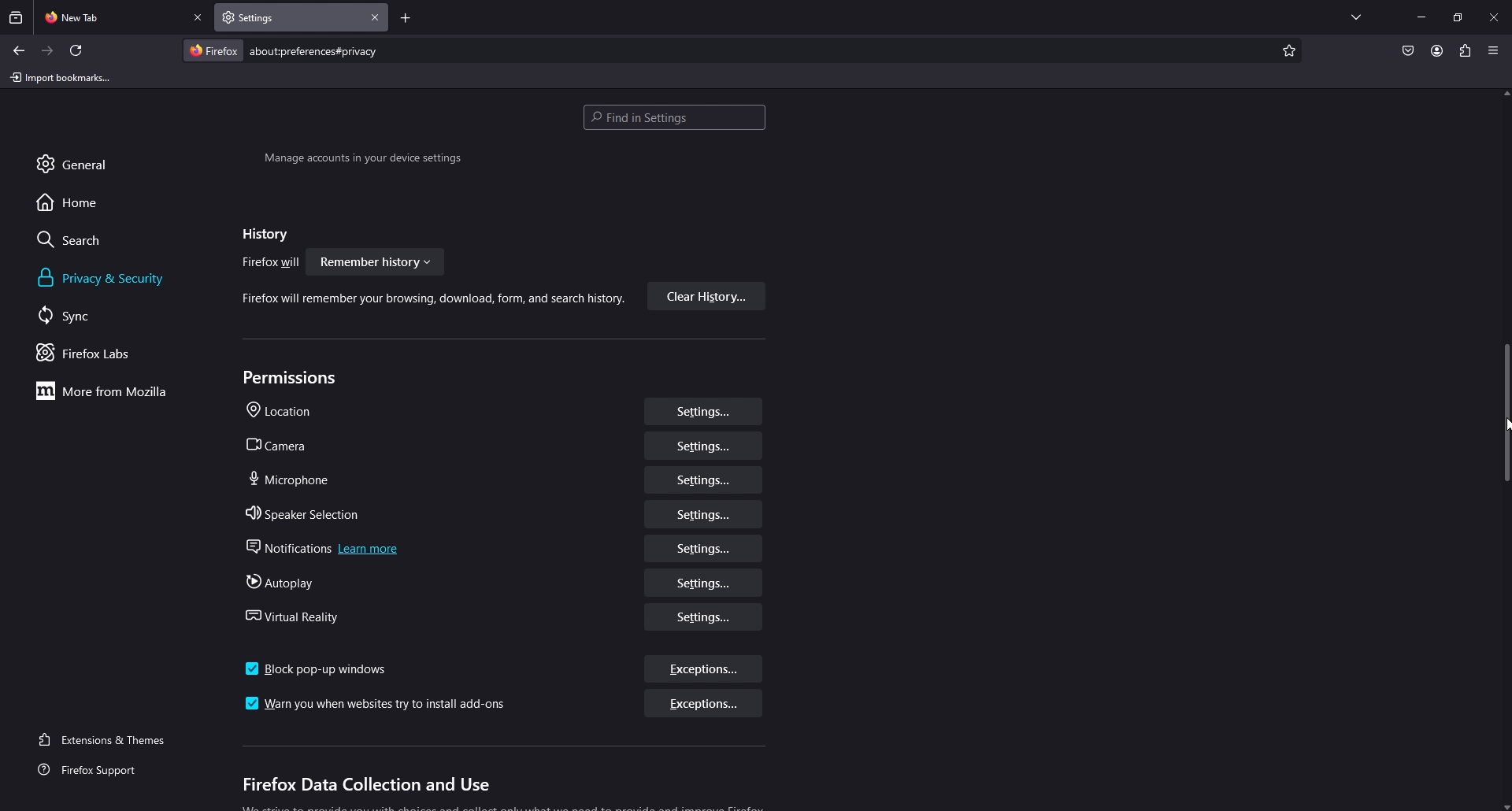 This screenshot has height=811, width=1512. What do you see at coordinates (376, 261) in the screenshot?
I see `Remember history` at bounding box center [376, 261].